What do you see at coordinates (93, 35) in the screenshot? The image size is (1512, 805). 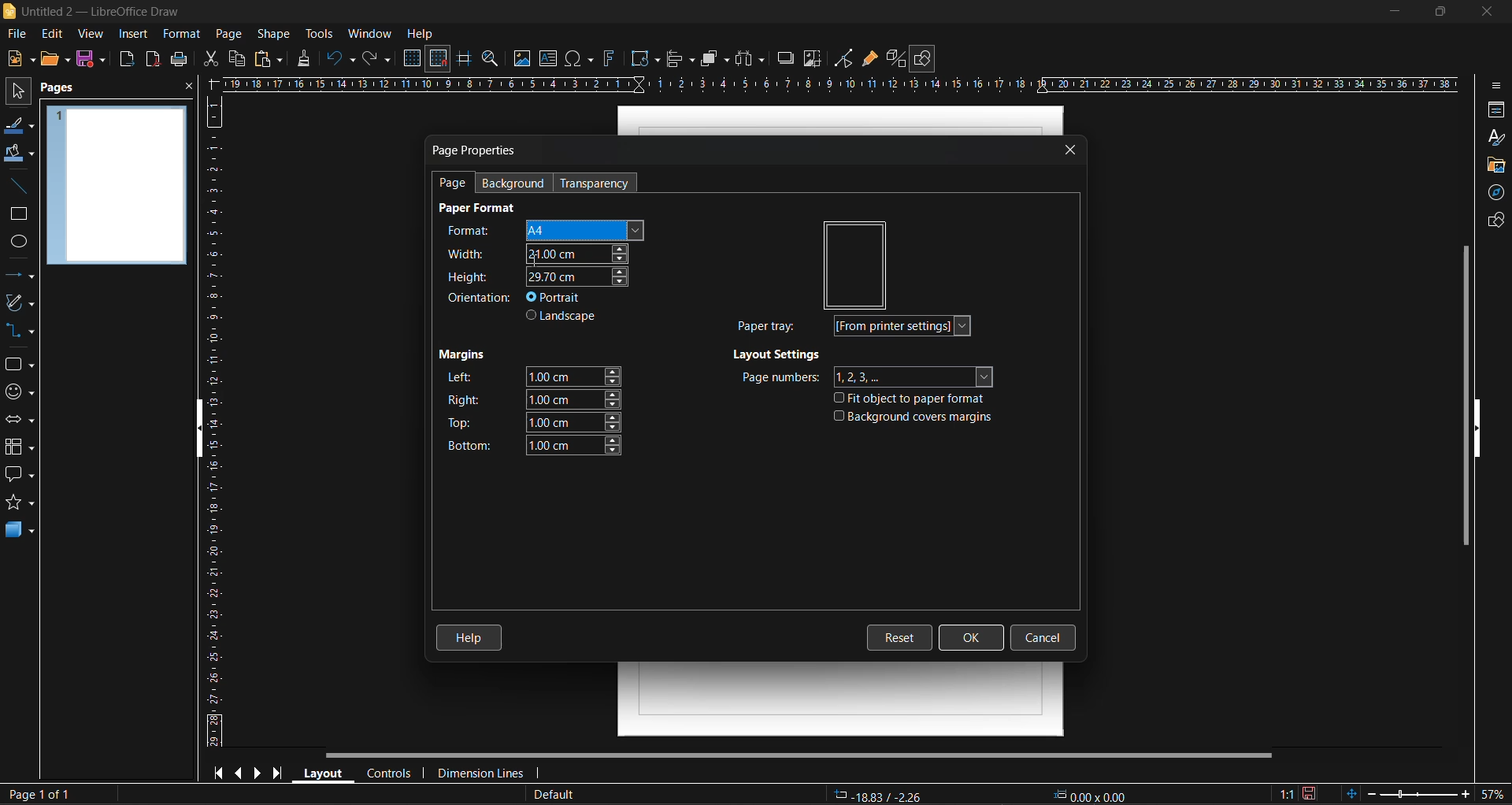 I see `view` at bounding box center [93, 35].